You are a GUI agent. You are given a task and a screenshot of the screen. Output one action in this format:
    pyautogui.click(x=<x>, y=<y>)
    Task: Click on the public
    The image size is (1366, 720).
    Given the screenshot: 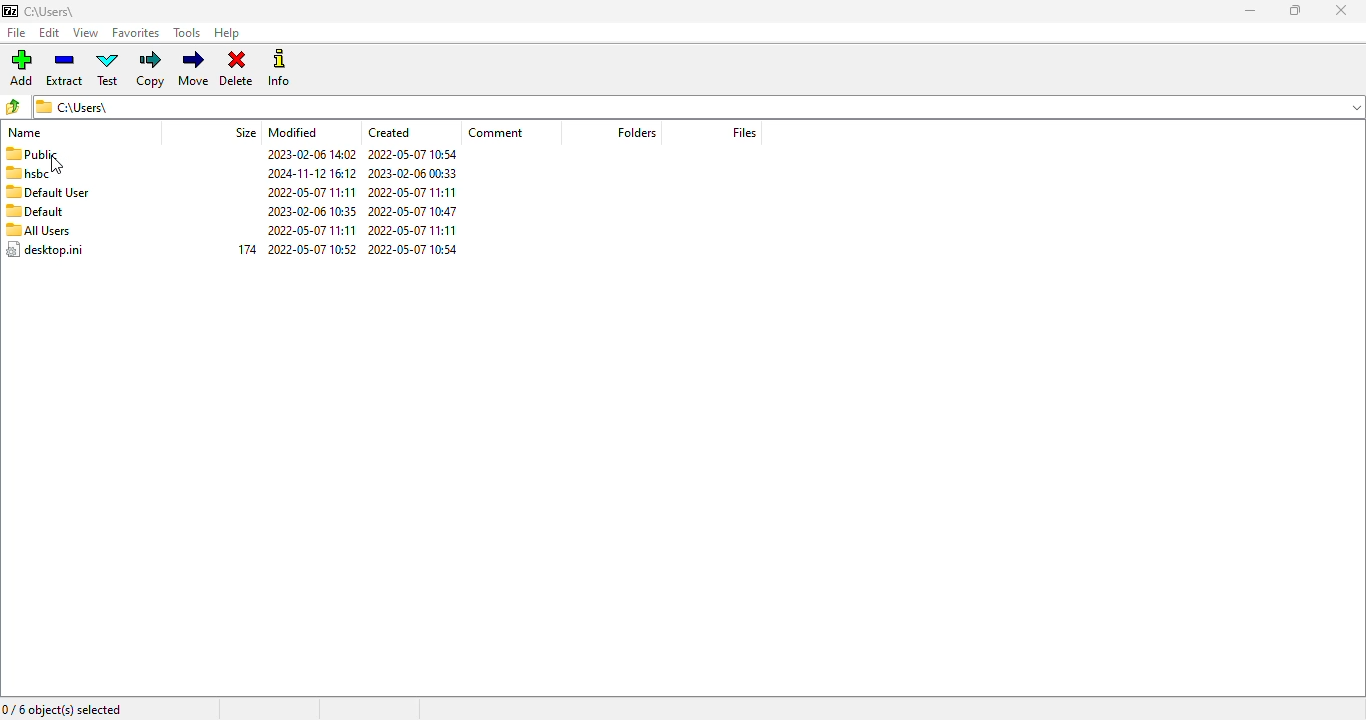 What is the action you would take?
    pyautogui.click(x=32, y=154)
    